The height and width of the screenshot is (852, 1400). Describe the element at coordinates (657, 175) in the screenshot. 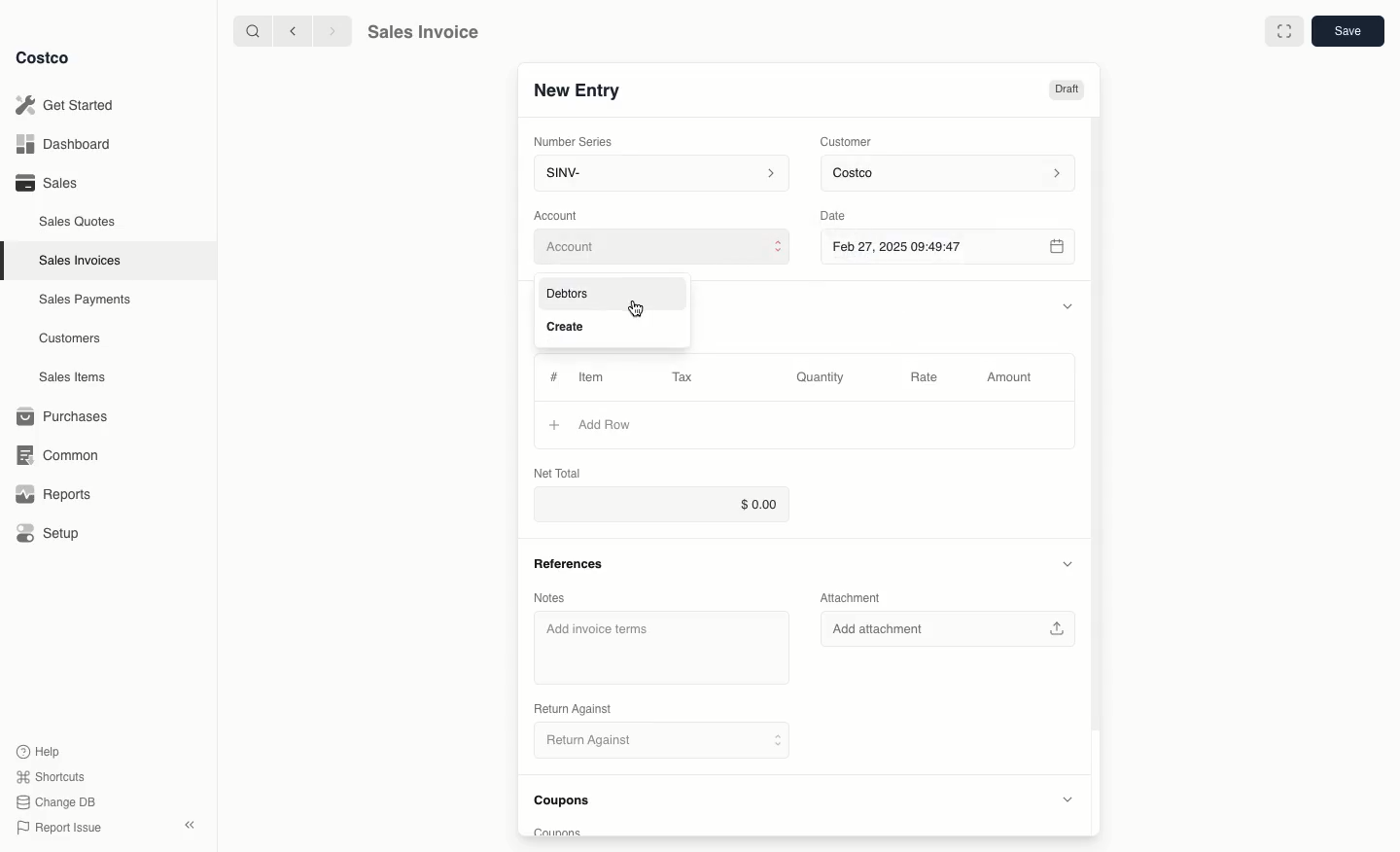

I see `SINV-` at that location.